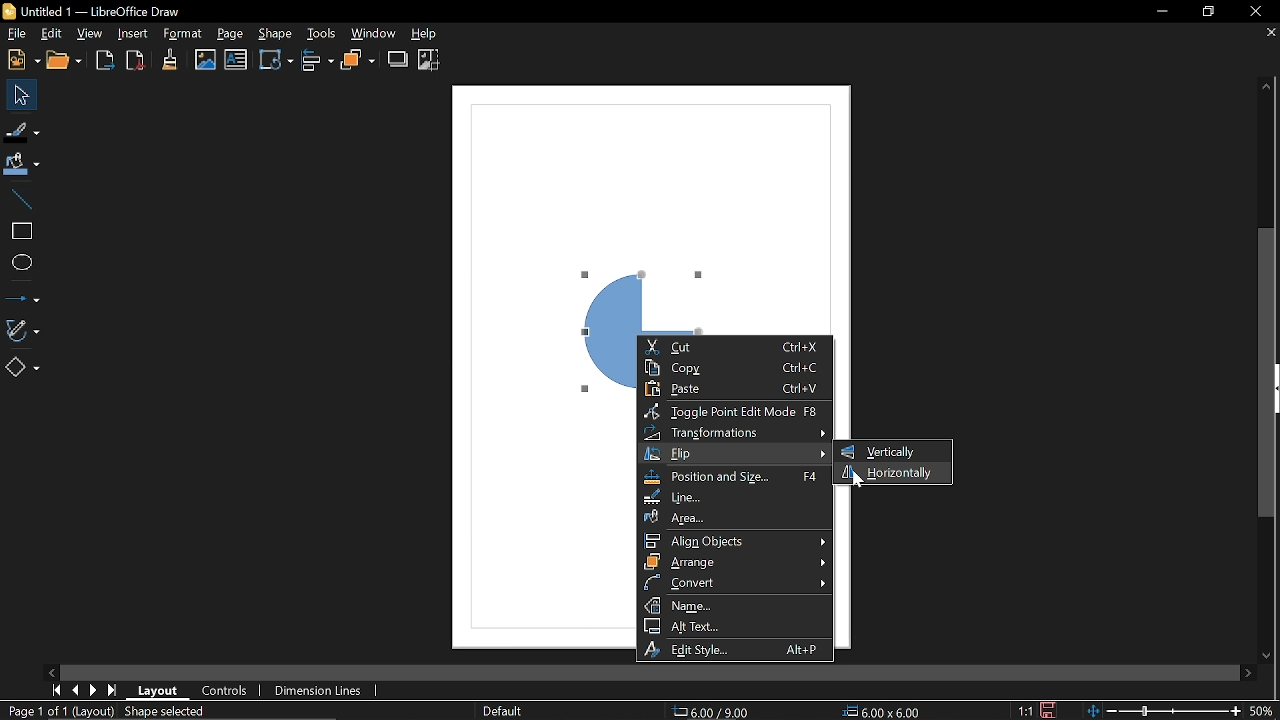 This screenshot has width=1280, height=720. What do you see at coordinates (1251, 673) in the screenshot?
I see `Move right` at bounding box center [1251, 673].